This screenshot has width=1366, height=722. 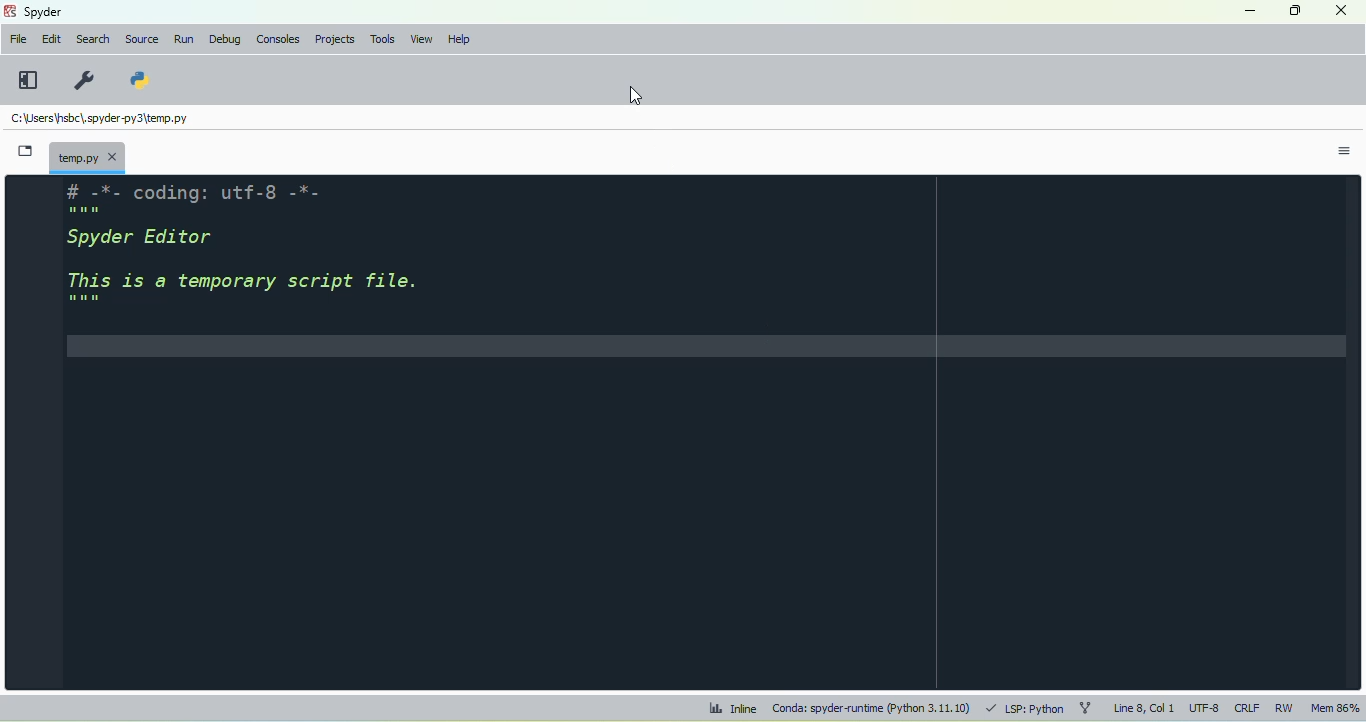 What do you see at coordinates (279, 39) in the screenshot?
I see `consoles` at bounding box center [279, 39].